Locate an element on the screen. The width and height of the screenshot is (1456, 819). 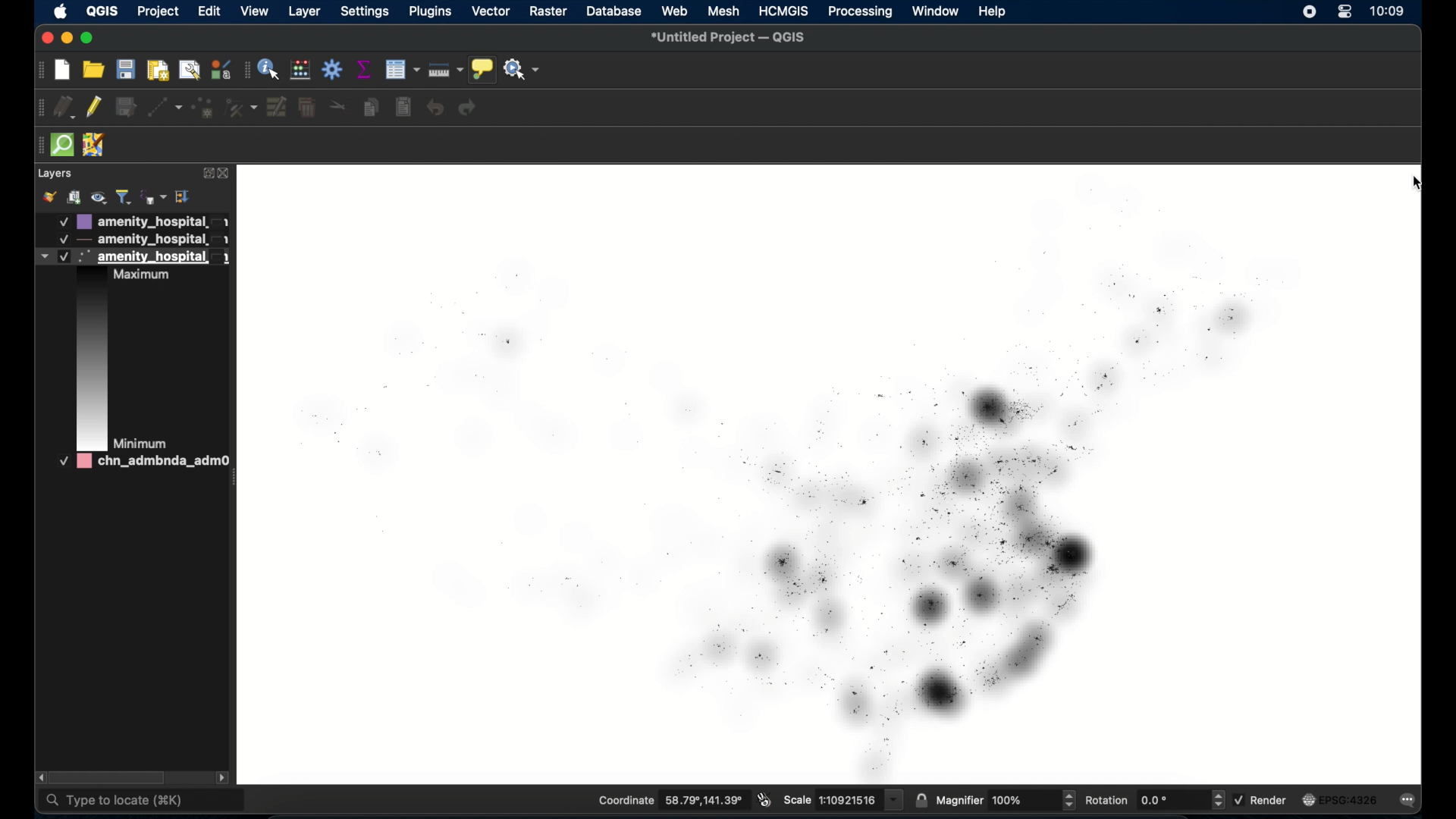
jsom remote is located at coordinates (96, 146).